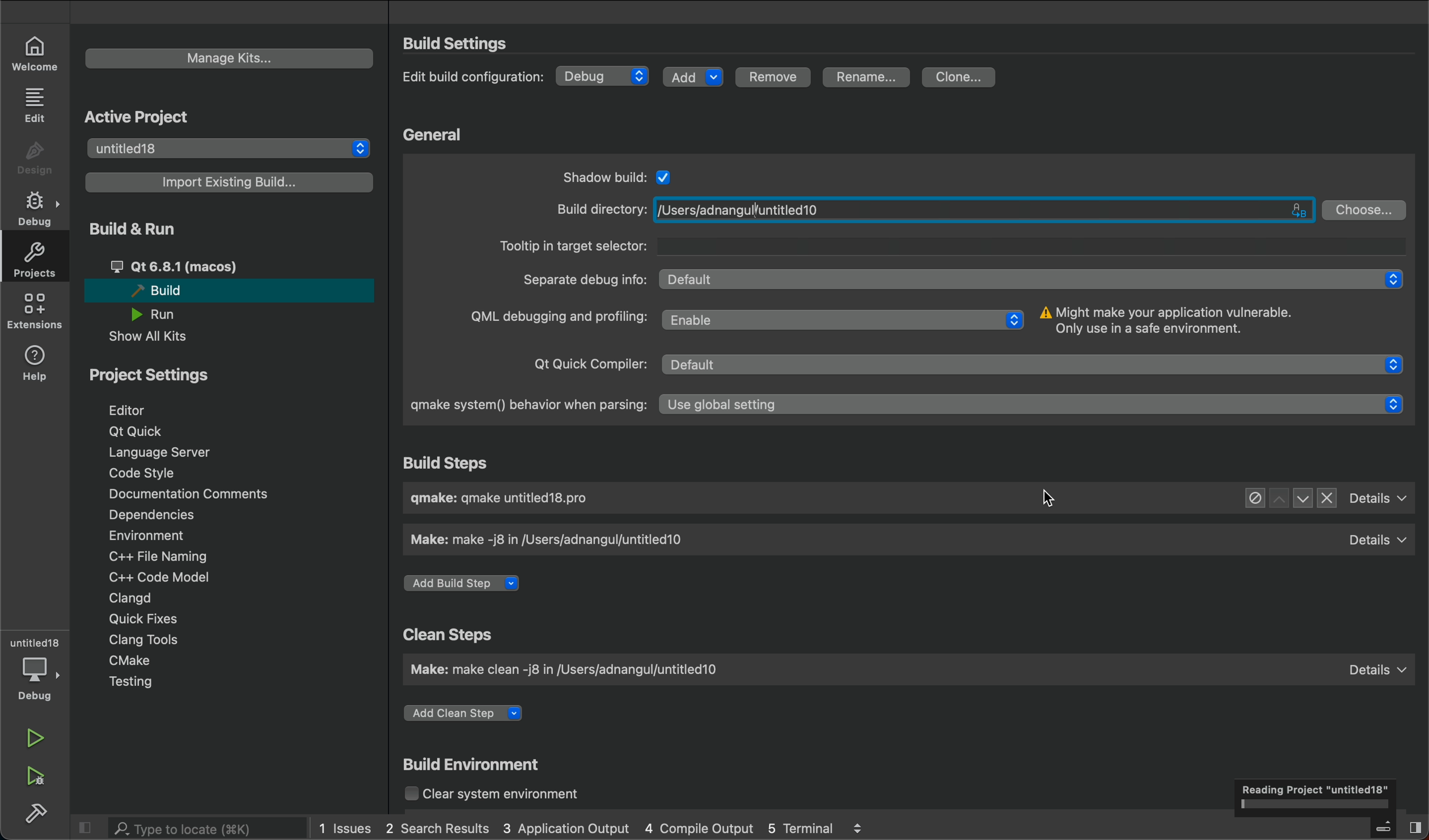  Describe the element at coordinates (583, 278) in the screenshot. I see `Separate debug info:` at that location.